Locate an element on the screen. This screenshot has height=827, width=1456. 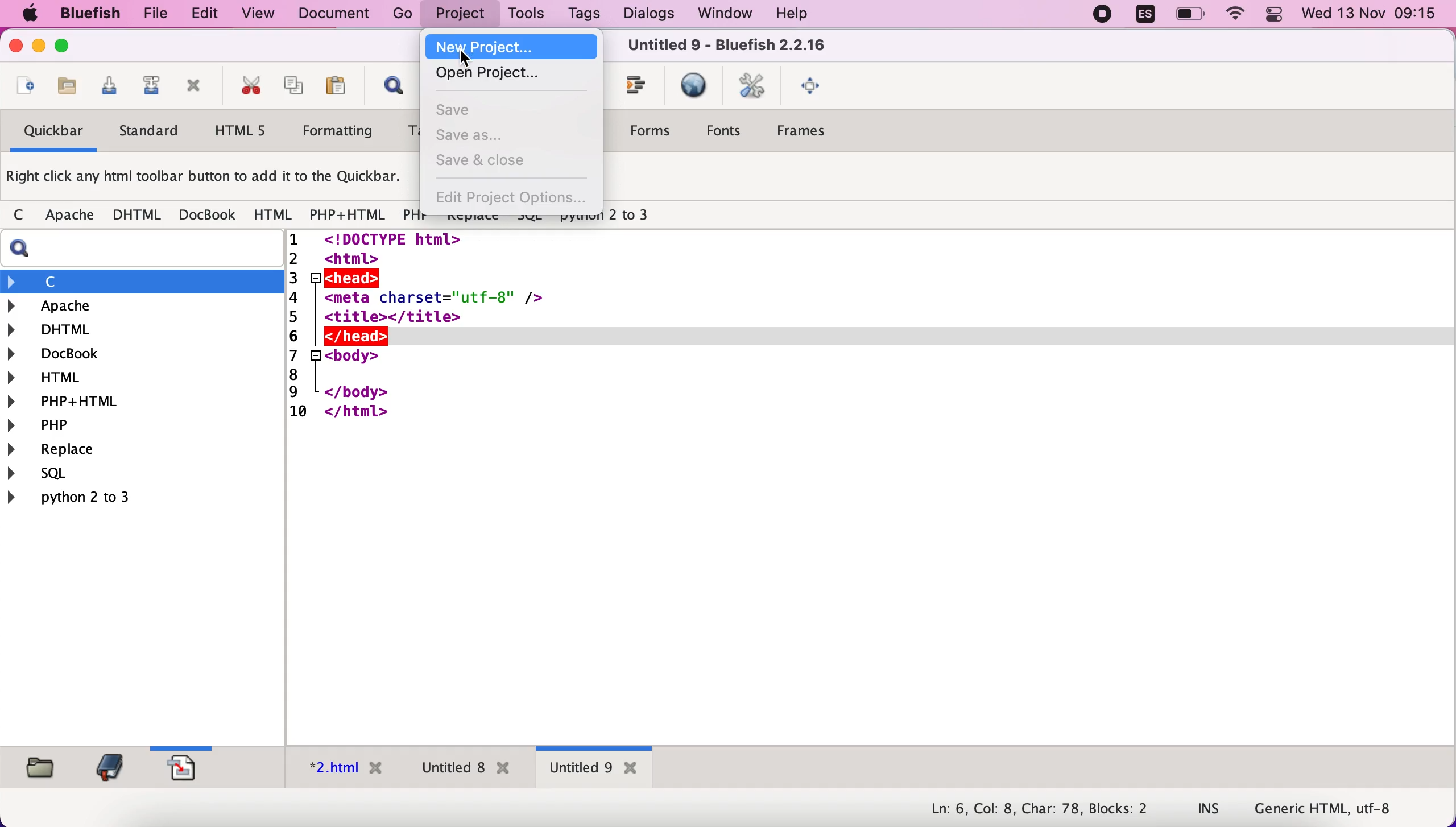
wifi is located at coordinates (1237, 15).